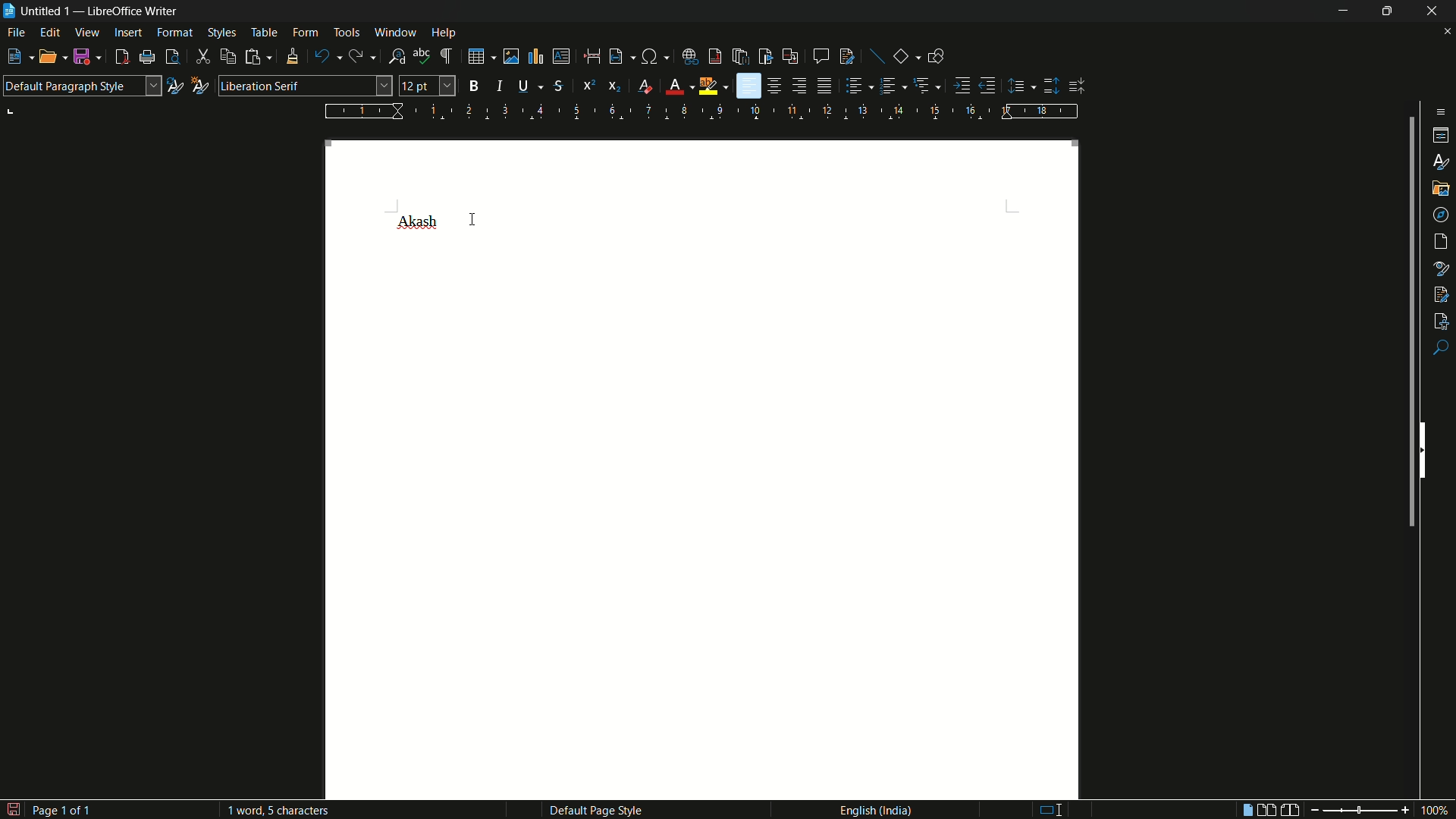 The height and width of the screenshot is (819, 1456). I want to click on file name, so click(39, 11).